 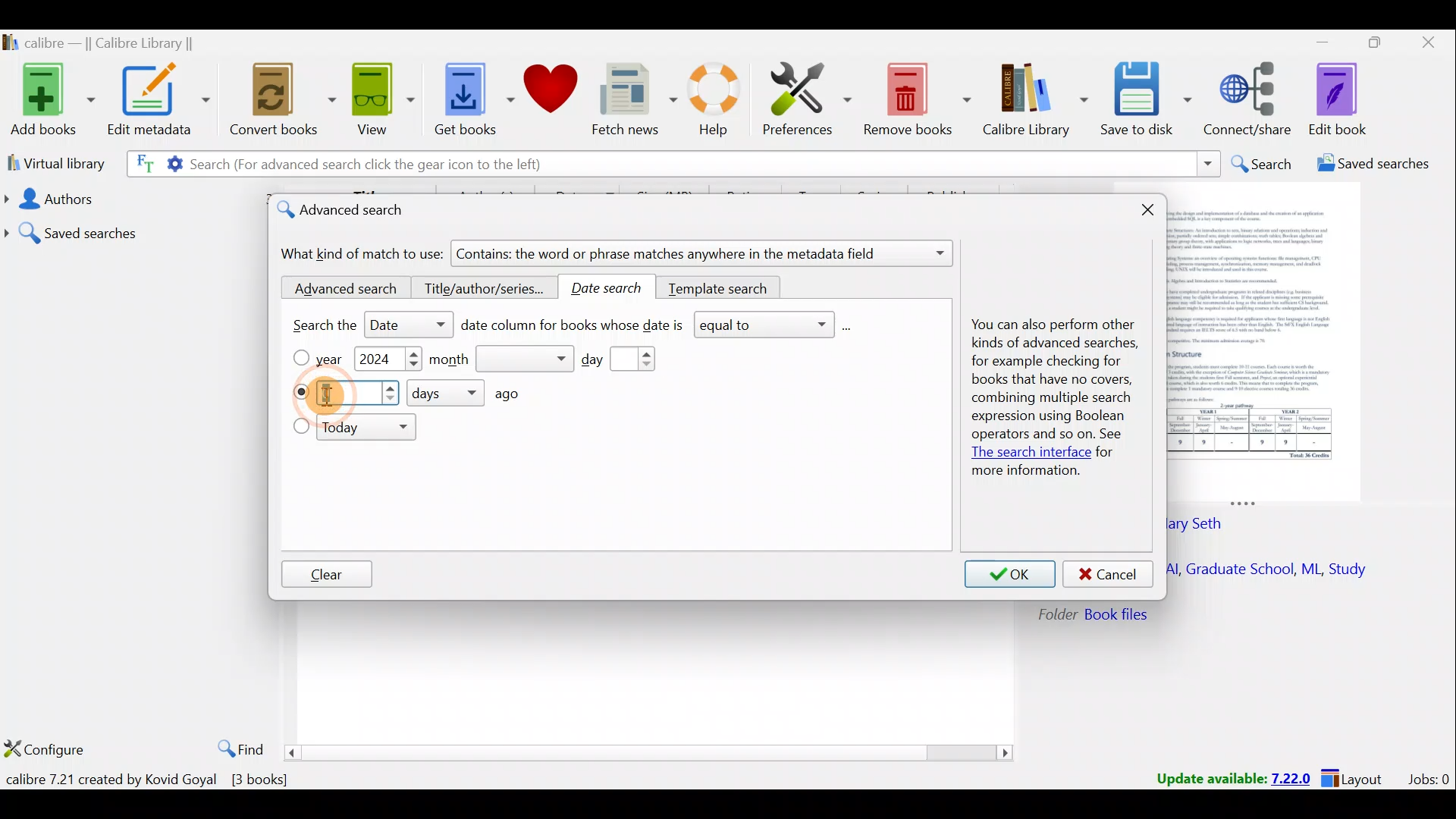 I want to click on Search, so click(x=1260, y=164).